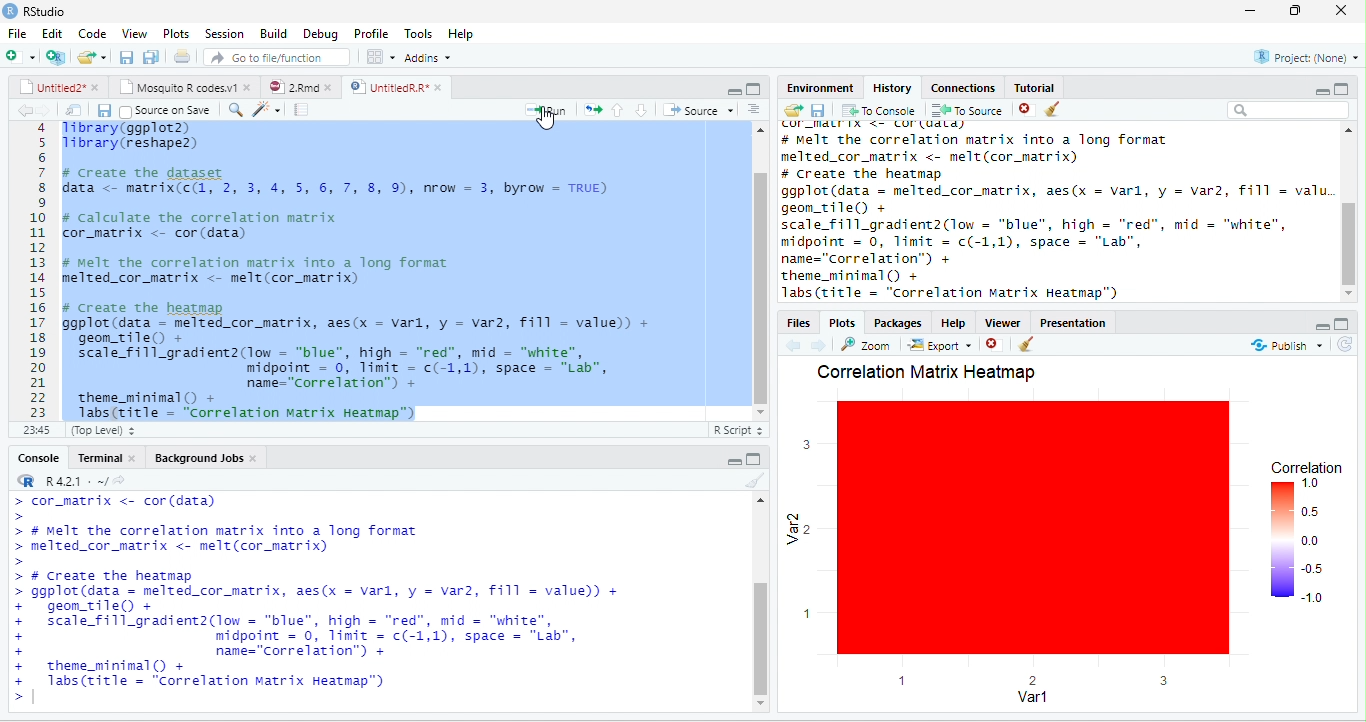 The width and height of the screenshot is (1366, 722). I want to click on RStudio, so click(48, 12).